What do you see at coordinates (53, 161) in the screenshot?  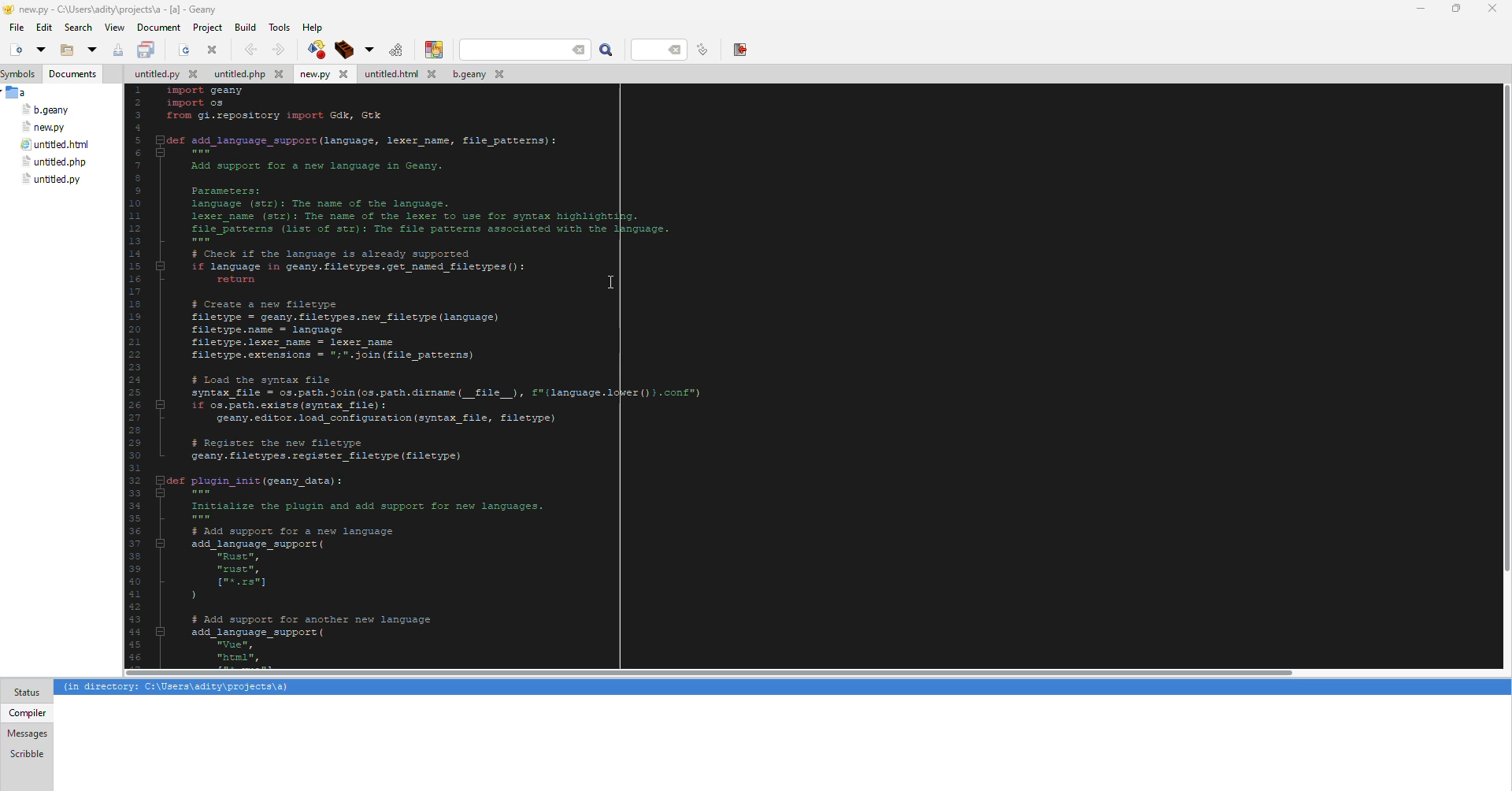 I see `file` at bounding box center [53, 161].